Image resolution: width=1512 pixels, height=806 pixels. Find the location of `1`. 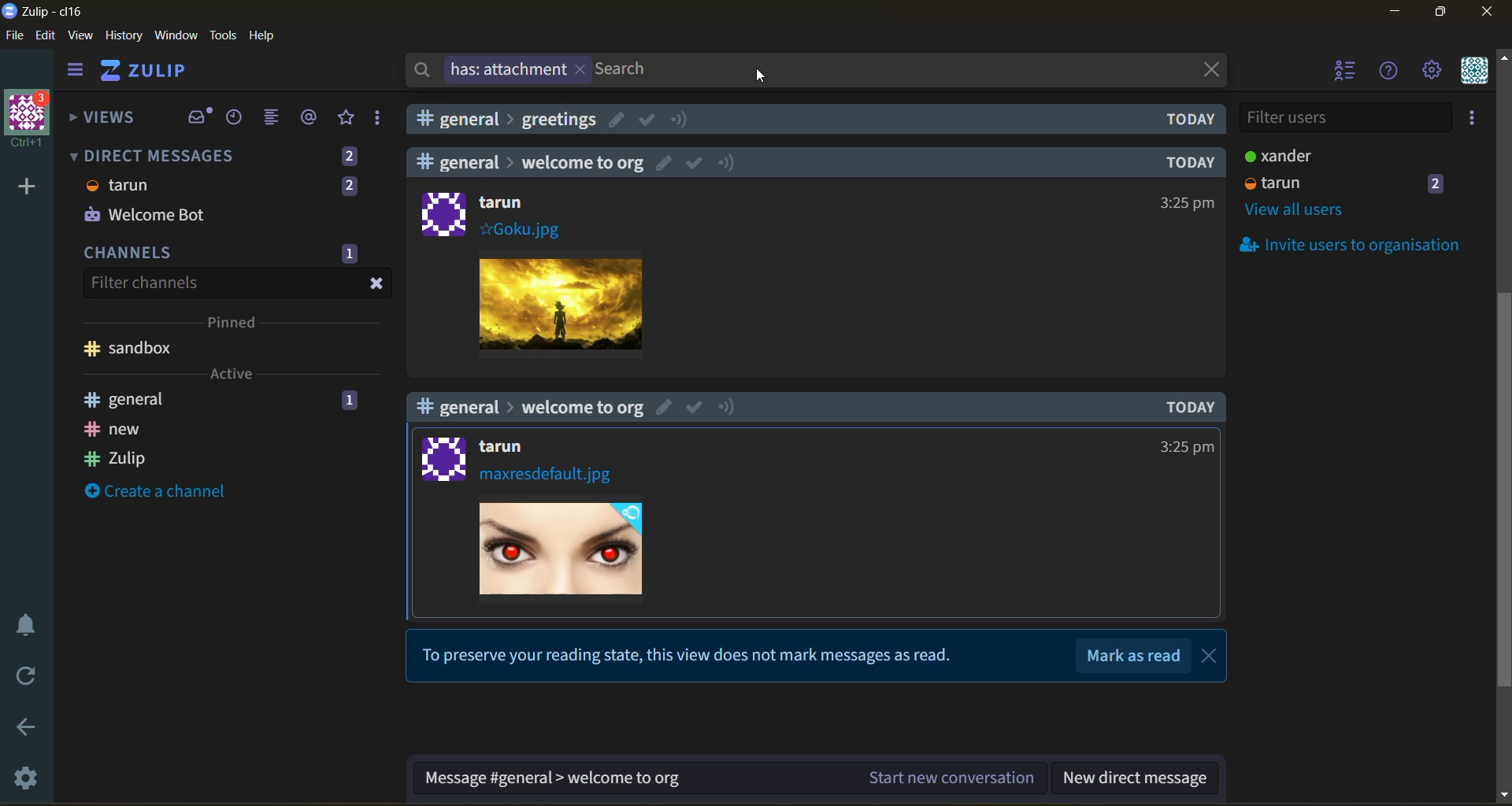

1 is located at coordinates (349, 253).